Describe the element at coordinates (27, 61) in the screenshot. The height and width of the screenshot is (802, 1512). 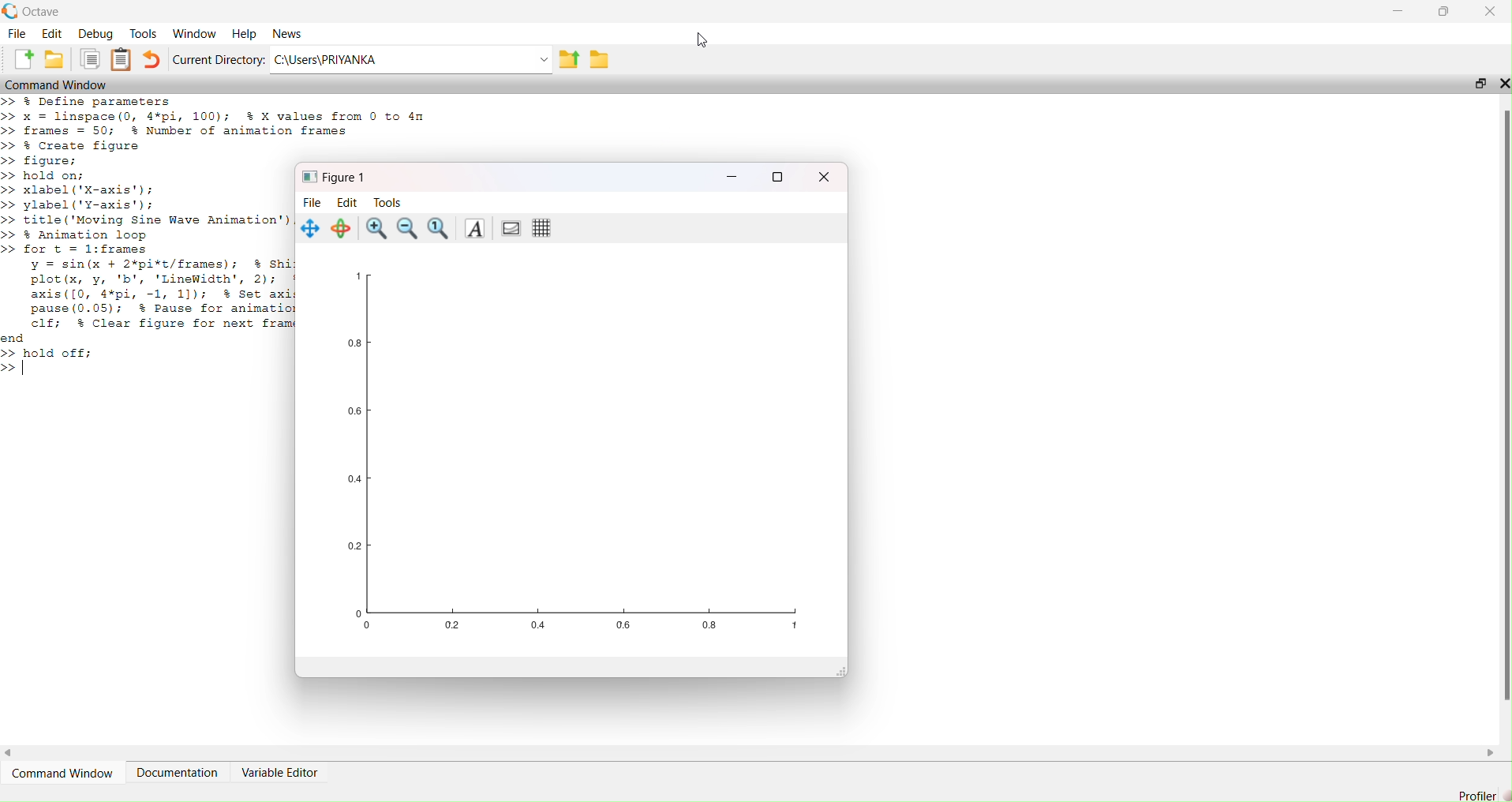
I see `add` at that location.